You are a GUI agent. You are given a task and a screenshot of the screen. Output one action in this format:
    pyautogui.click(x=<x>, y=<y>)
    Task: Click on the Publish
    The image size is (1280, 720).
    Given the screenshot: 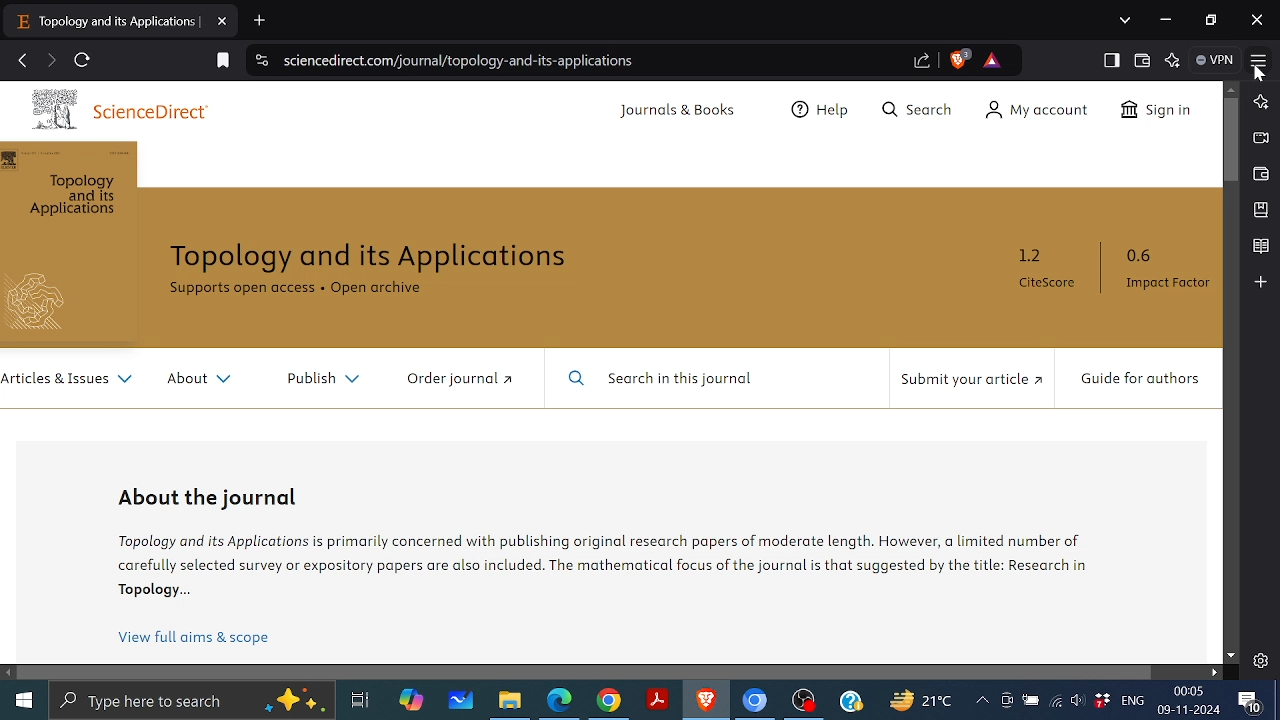 What is the action you would take?
    pyautogui.click(x=324, y=378)
    